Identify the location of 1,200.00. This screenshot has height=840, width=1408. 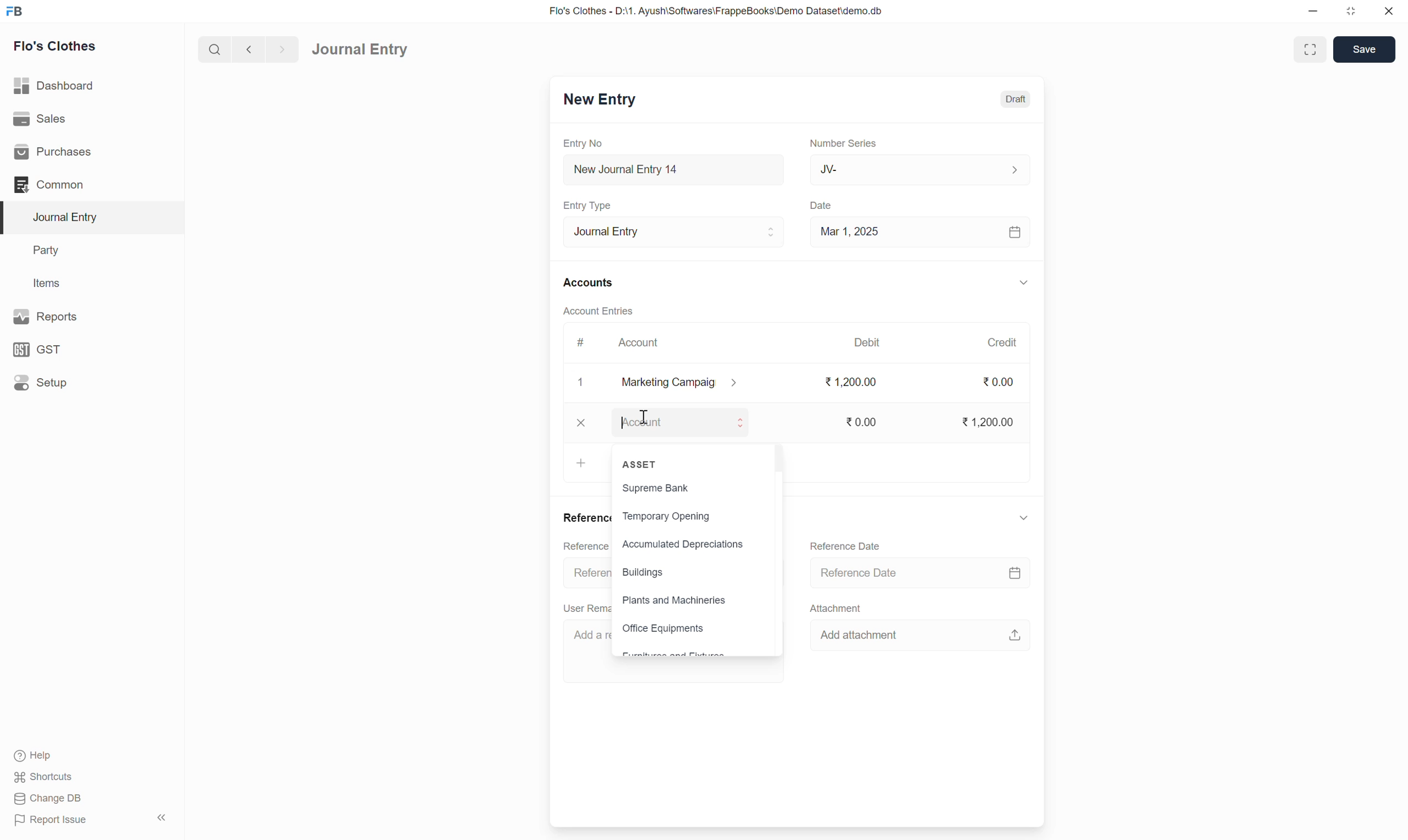
(853, 383).